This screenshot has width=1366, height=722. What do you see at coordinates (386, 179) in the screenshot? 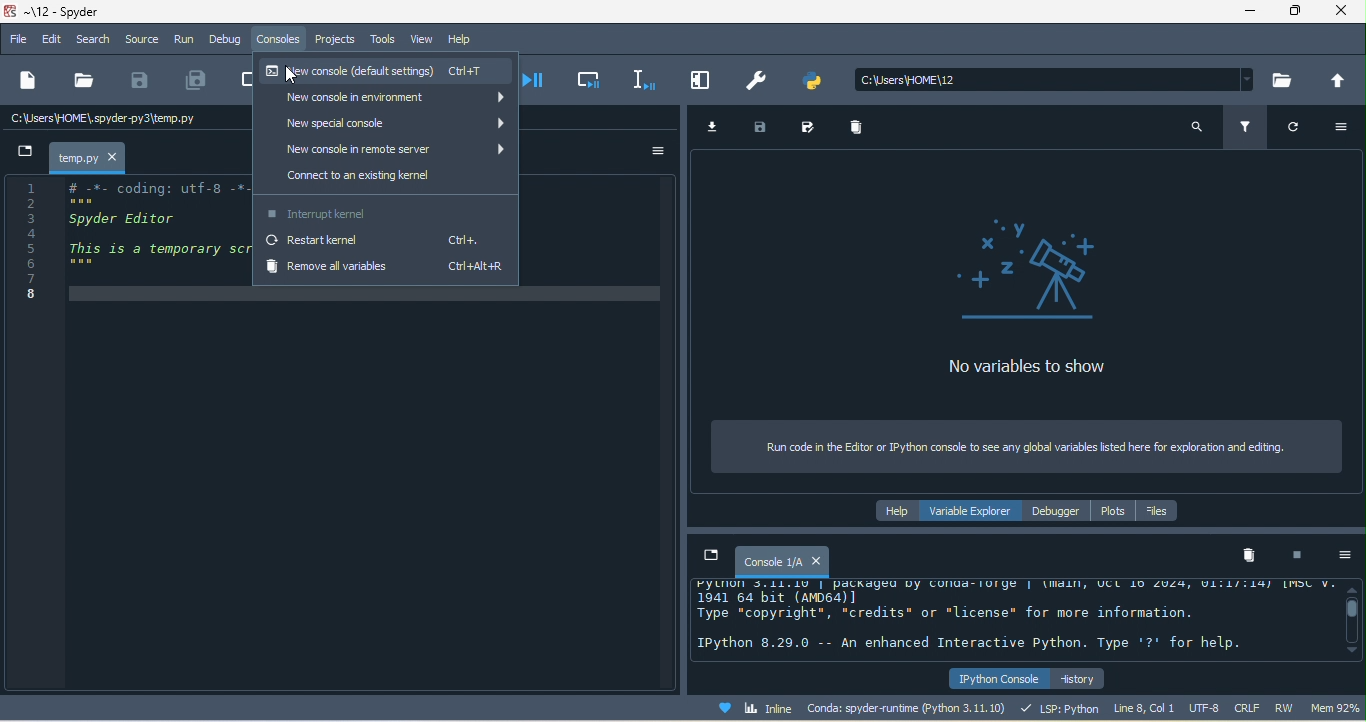
I see `correct to an existing kenel` at bounding box center [386, 179].